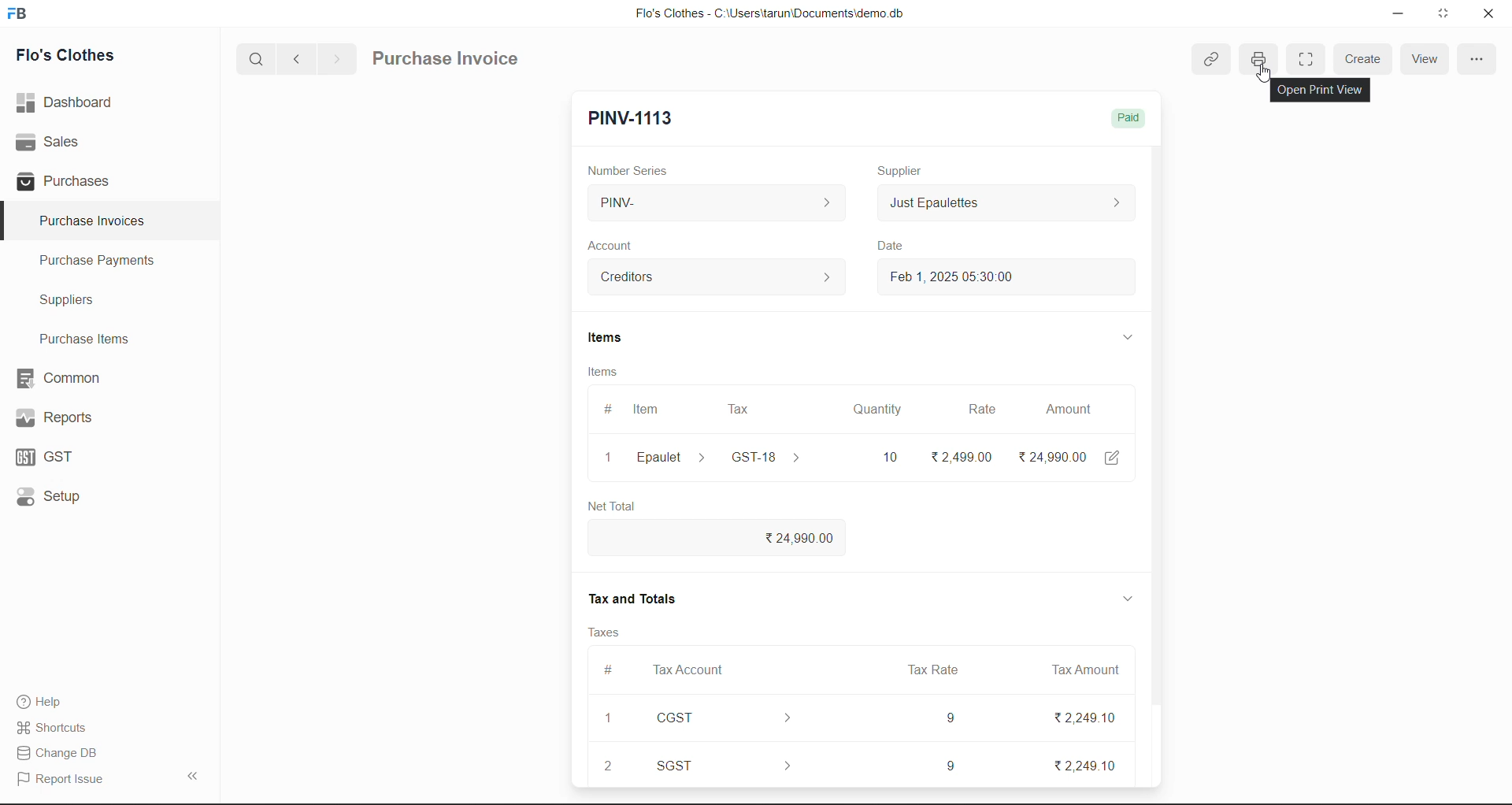 The width and height of the screenshot is (1512, 805). Describe the element at coordinates (72, 377) in the screenshot. I see `Common` at that location.